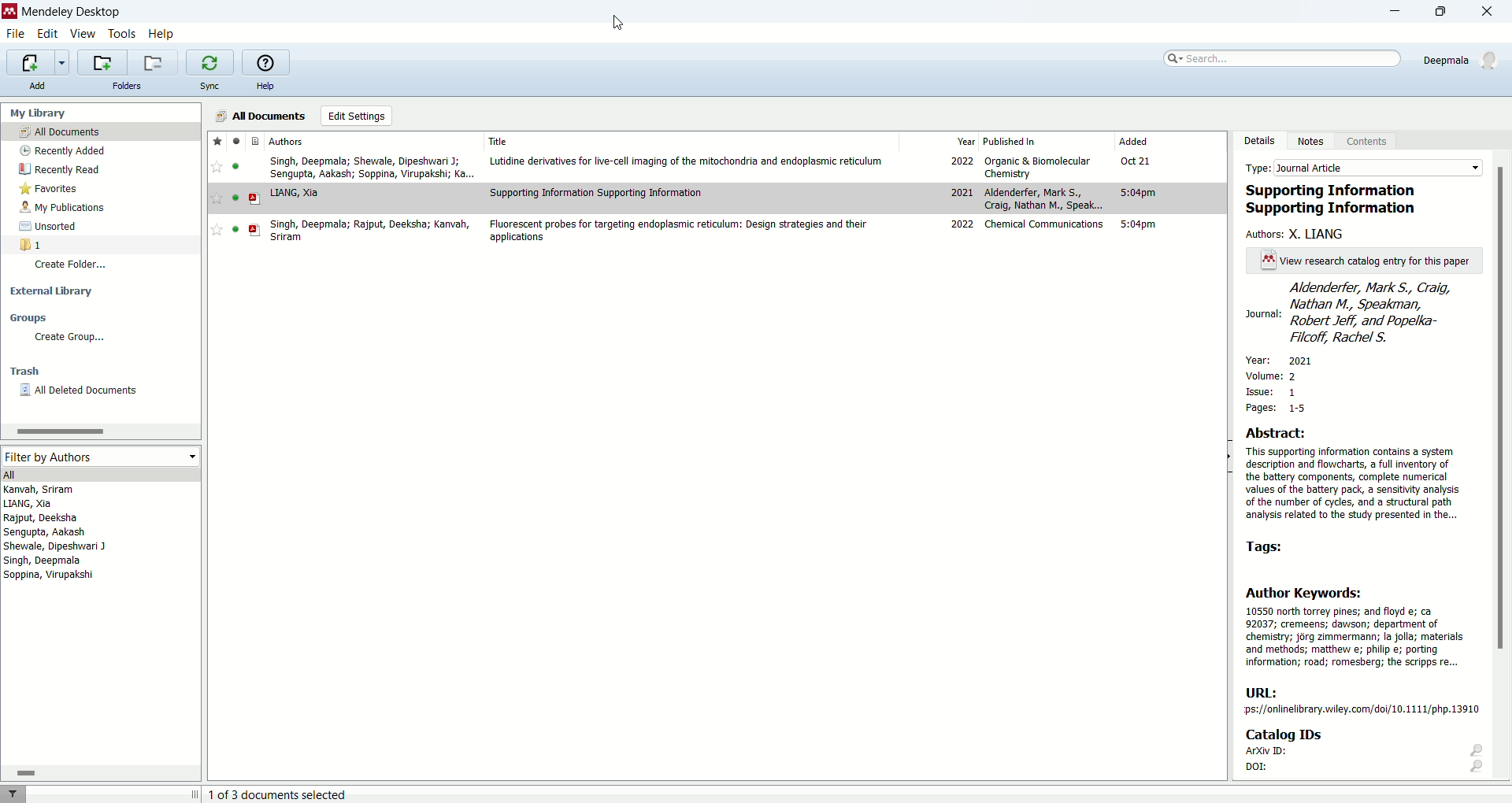  Describe the element at coordinates (1353, 474) in the screenshot. I see `Abstract:This supporting information contains a system description and flowcharts, a full inventory of the battery components, complete numerical values of the battery pack, a sensitivity analysis of the number of cycles, and a structural path analysis related to the study presented in the...` at that location.